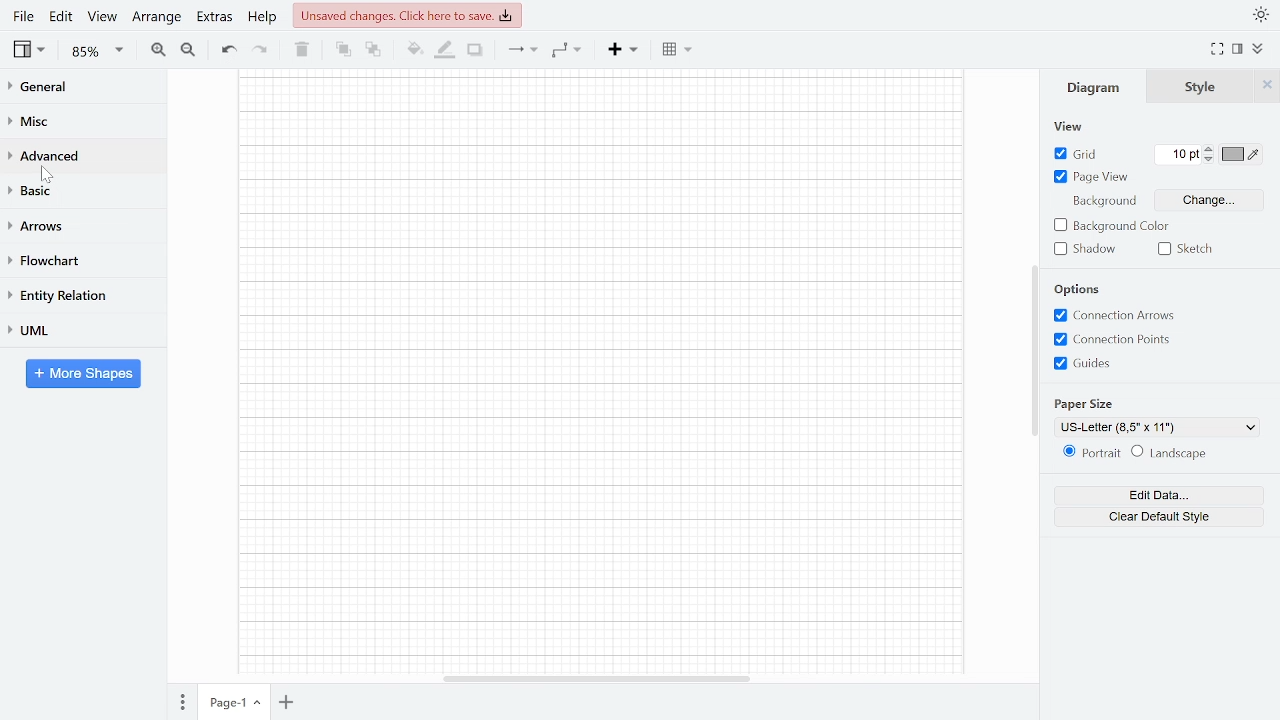 The image size is (1280, 720). Describe the element at coordinates (78, 262) in the screenshot. I see `FLowchart` at that location.